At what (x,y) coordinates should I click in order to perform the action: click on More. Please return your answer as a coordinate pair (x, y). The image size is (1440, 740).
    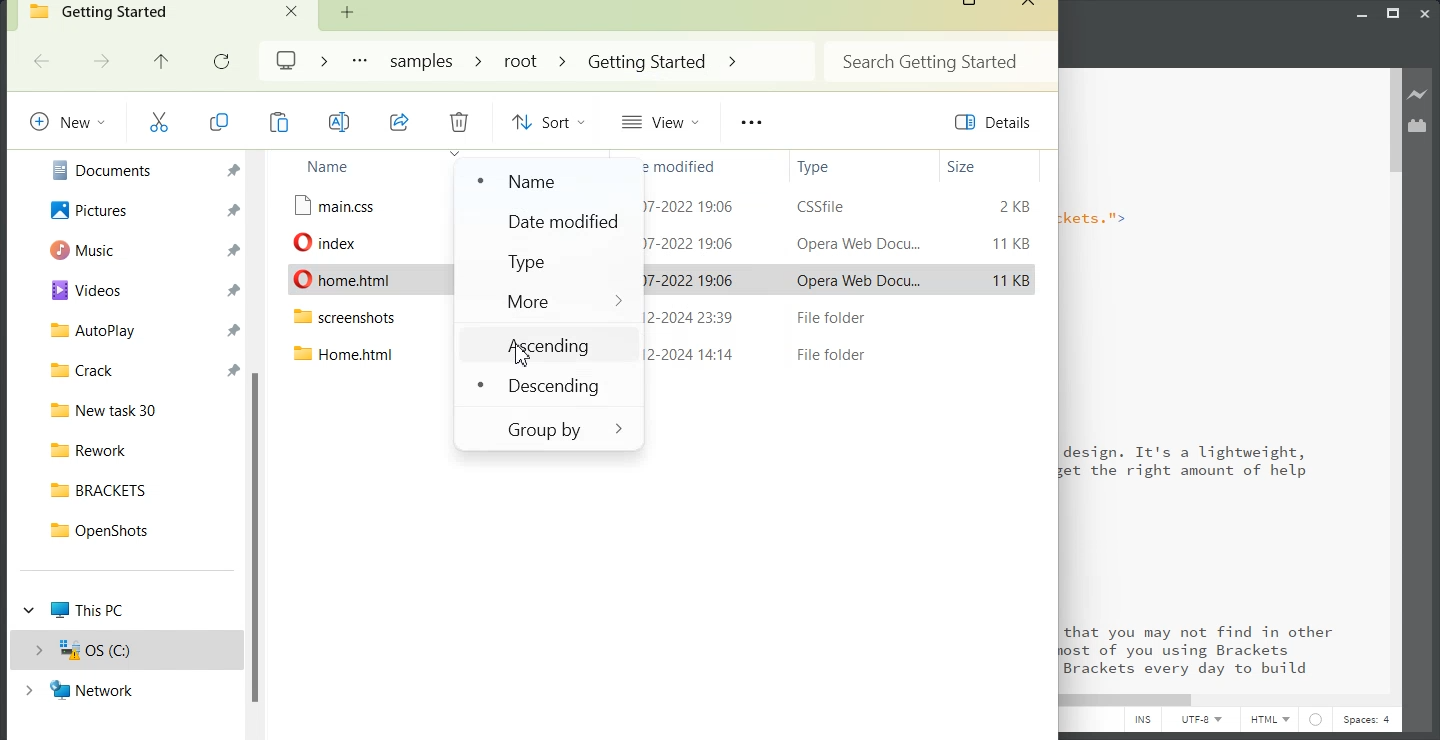
    Looking at the image, I should click on (751, 123).